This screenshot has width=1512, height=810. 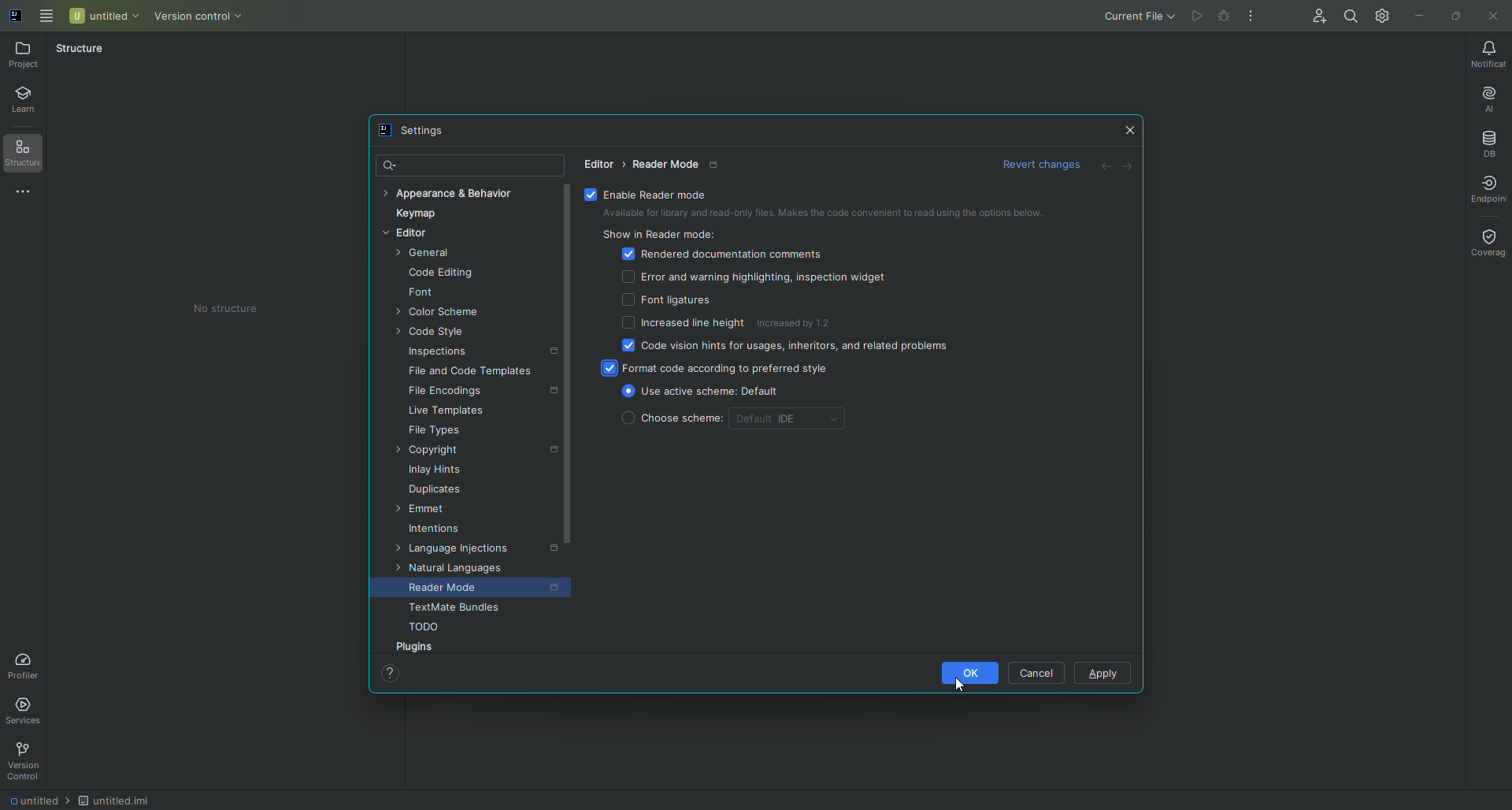 I want to click on Choose scheme, so click(x=670, y=419).